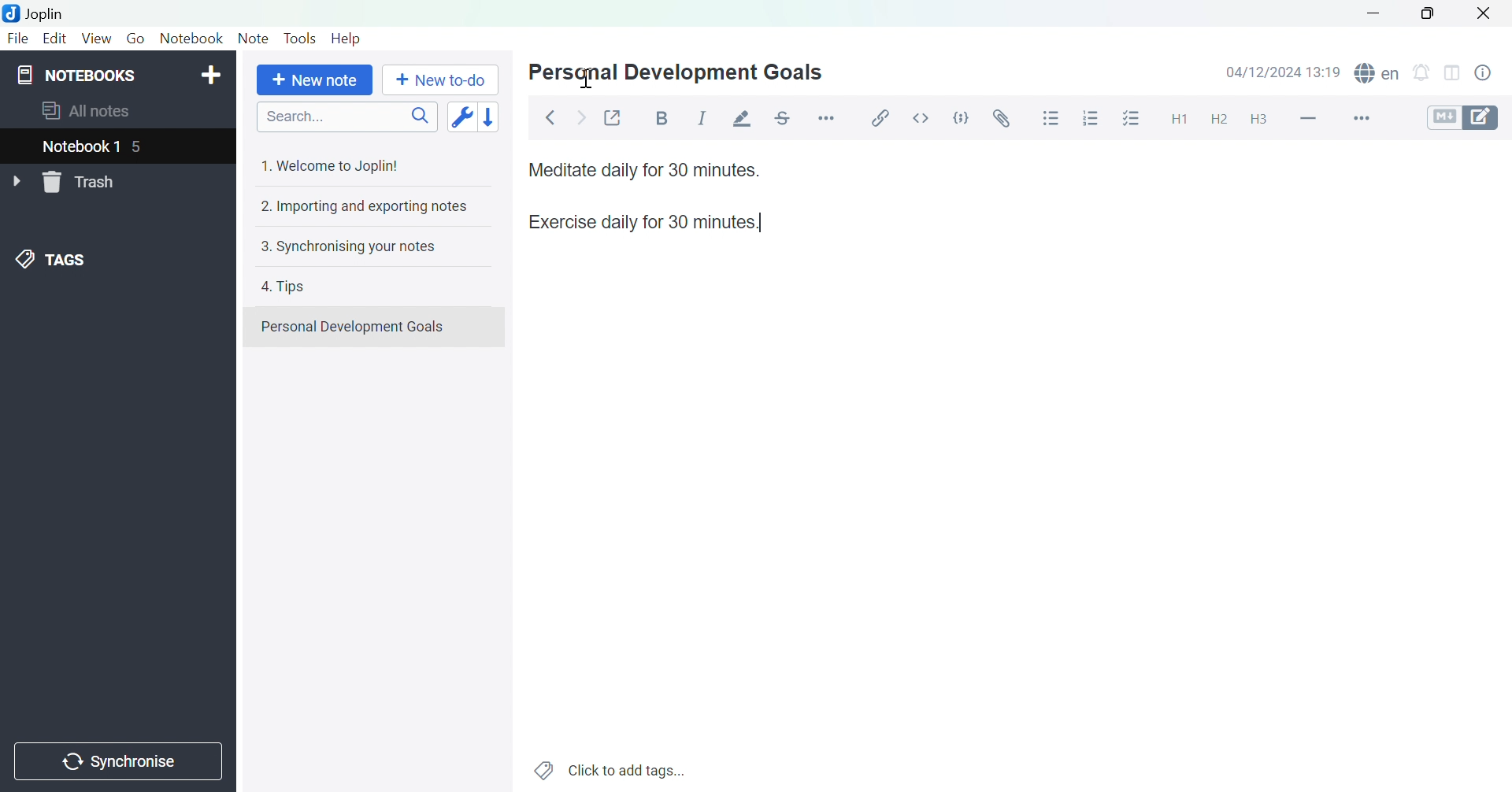 Image resolution: width=1512 pixels, height=792 pixels. Describe the element at coordinates (1452, 76) in the screenshot. I see `Toggle editor layout` at that location.